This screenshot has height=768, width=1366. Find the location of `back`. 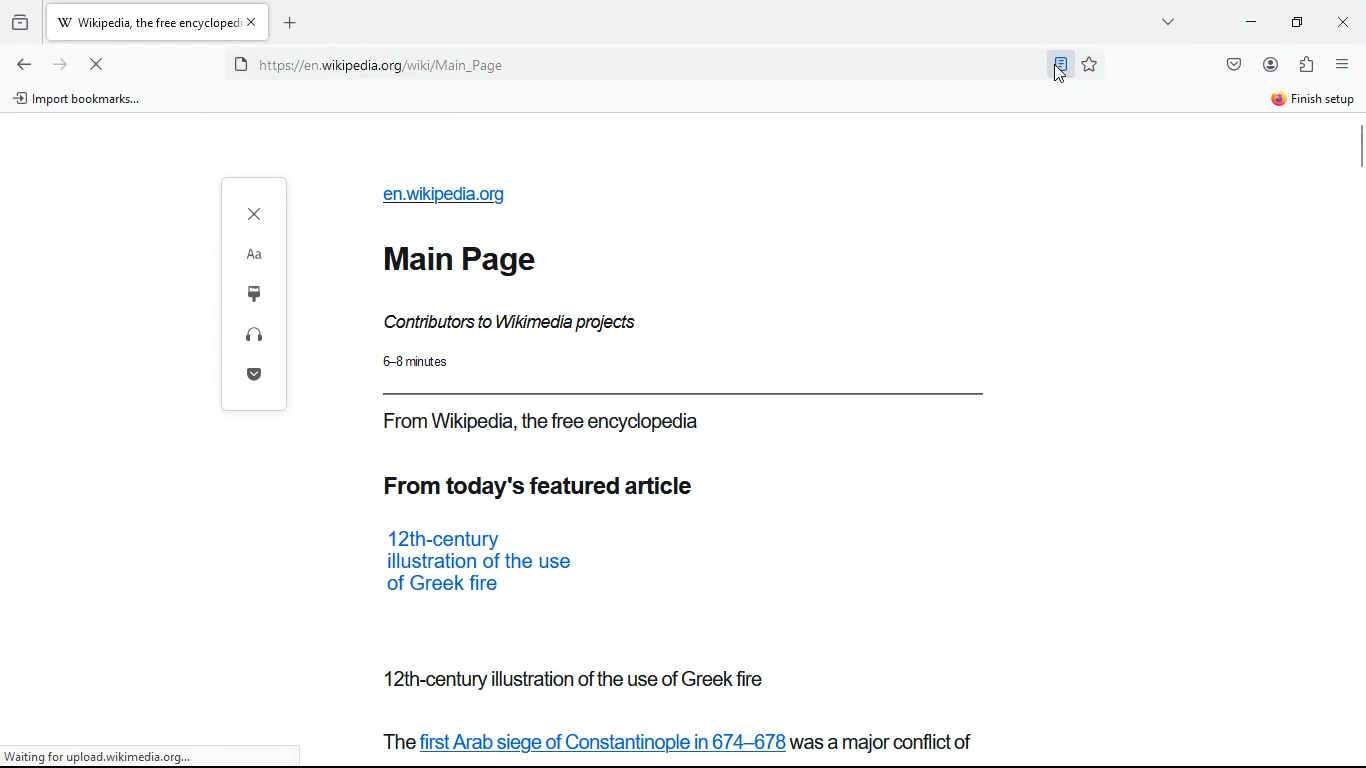

back is located at coordinates (25, 66).